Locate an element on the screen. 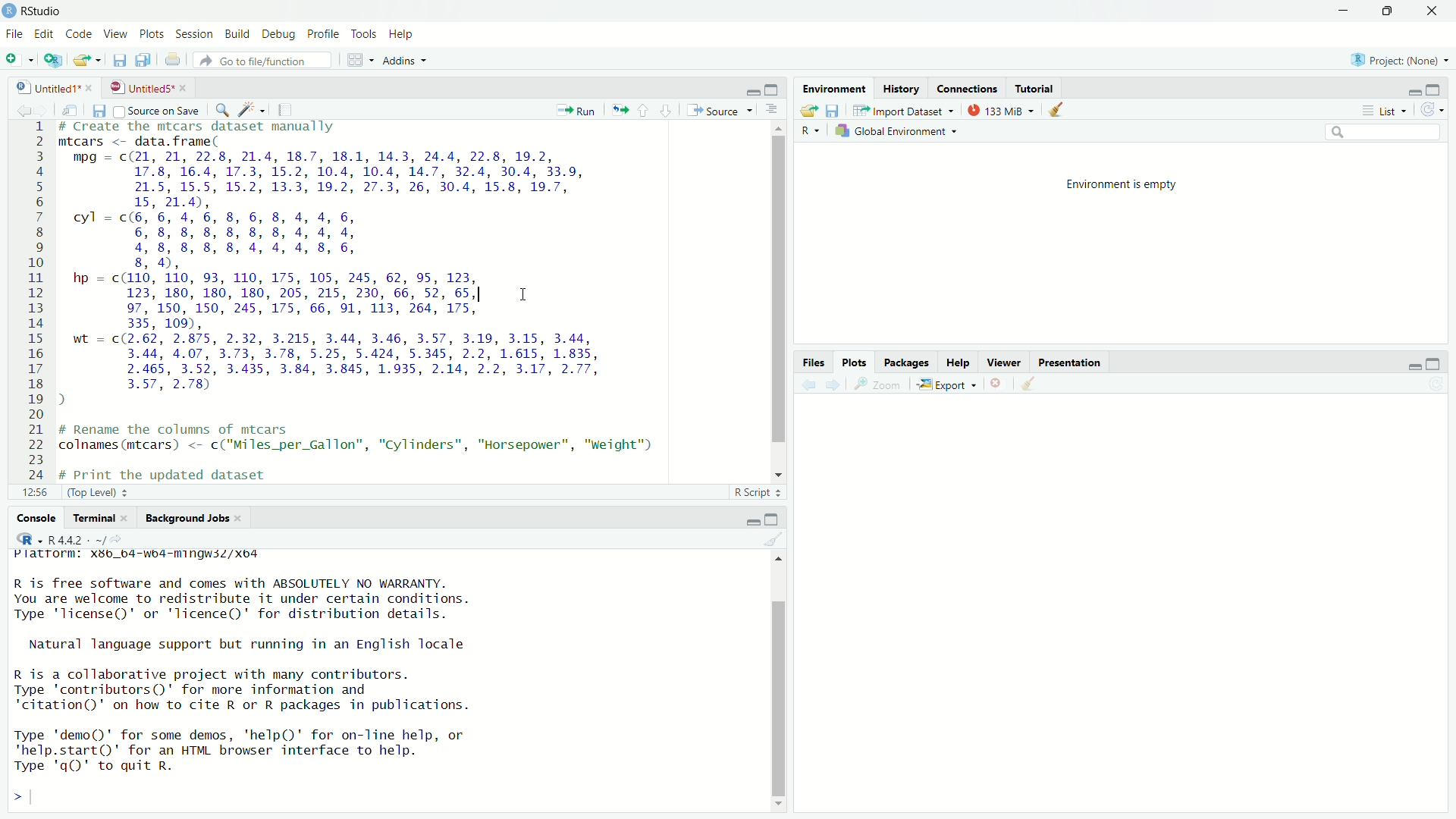 This screenshot has height=819, width=1456. Tutorial is located at coordinates (1036, 89).